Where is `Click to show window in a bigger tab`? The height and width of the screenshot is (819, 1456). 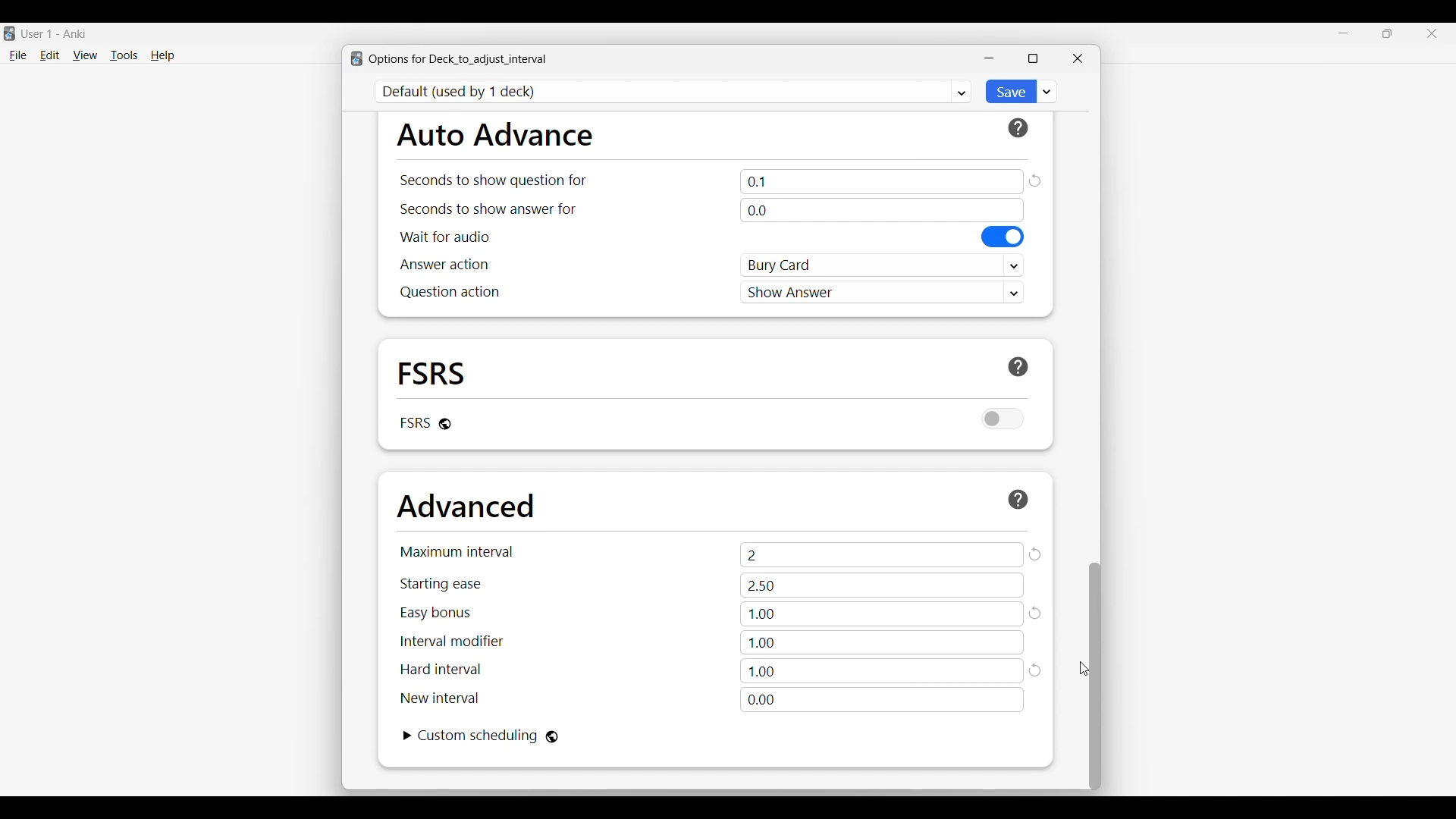 Click to show window in a bigger tab is located at coordinates (1033, 58).